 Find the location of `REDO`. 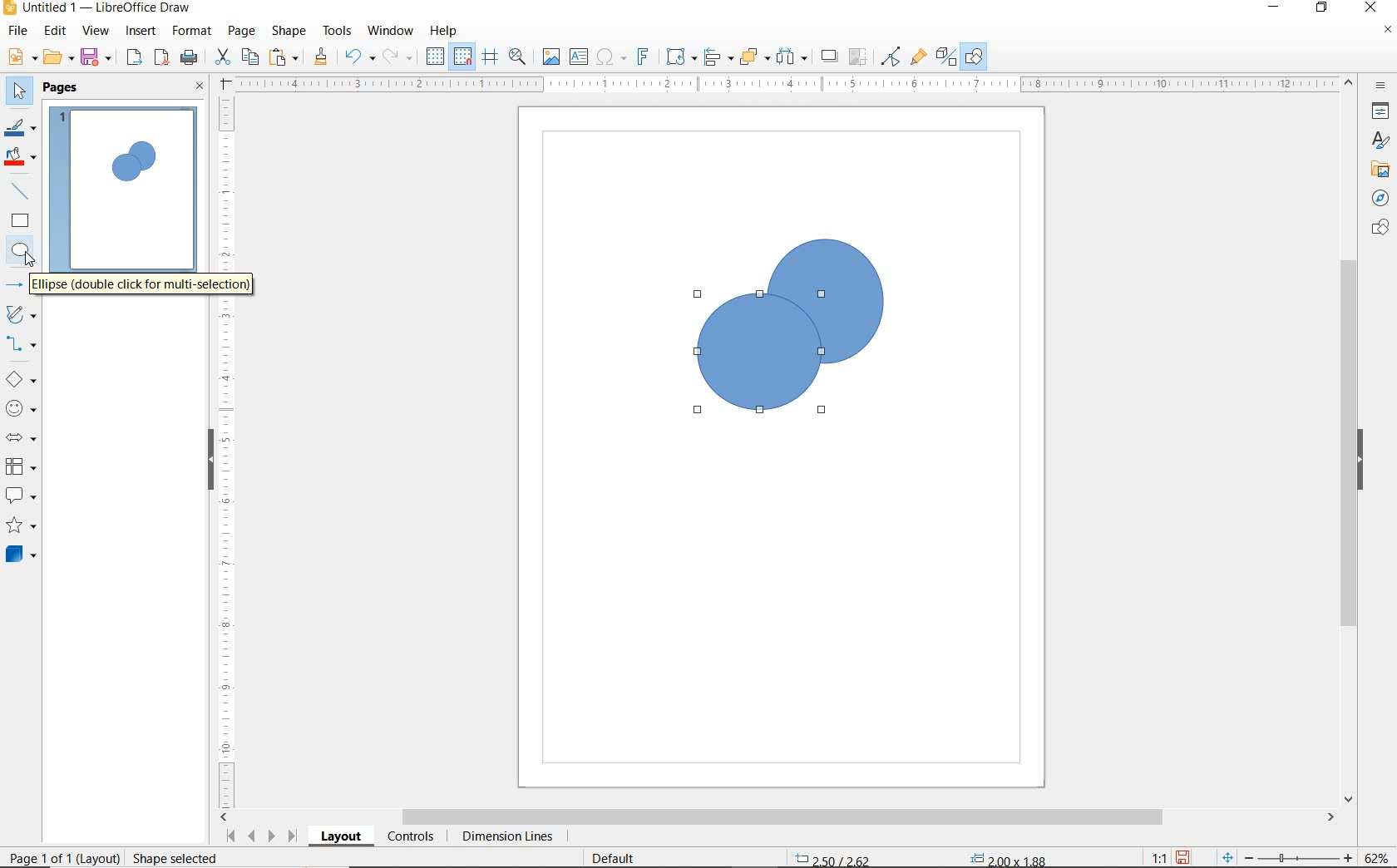

REDO is located at coordinates (398, 57).